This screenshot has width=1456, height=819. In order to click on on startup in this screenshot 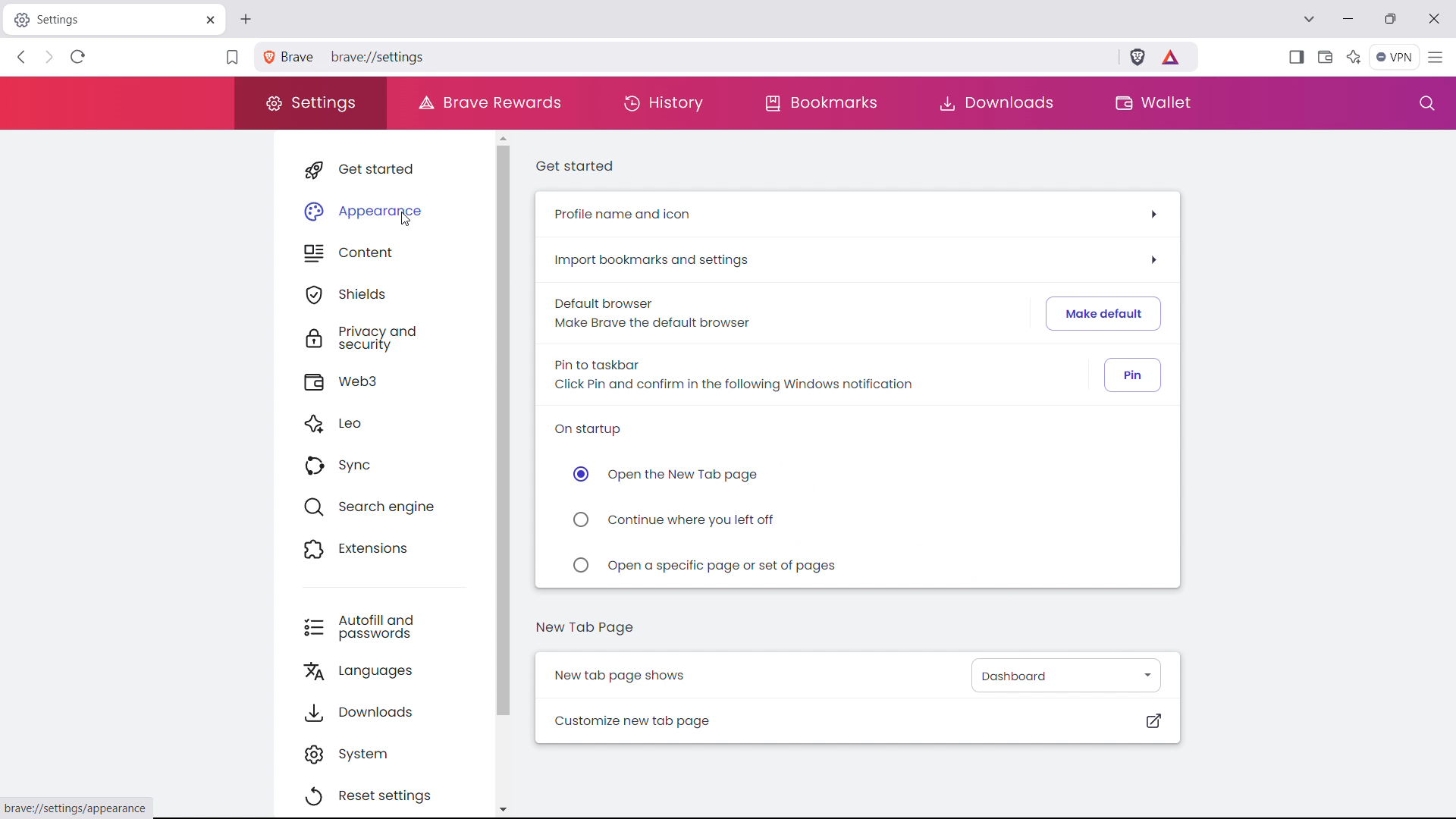, I will do `click(586, 430)`.